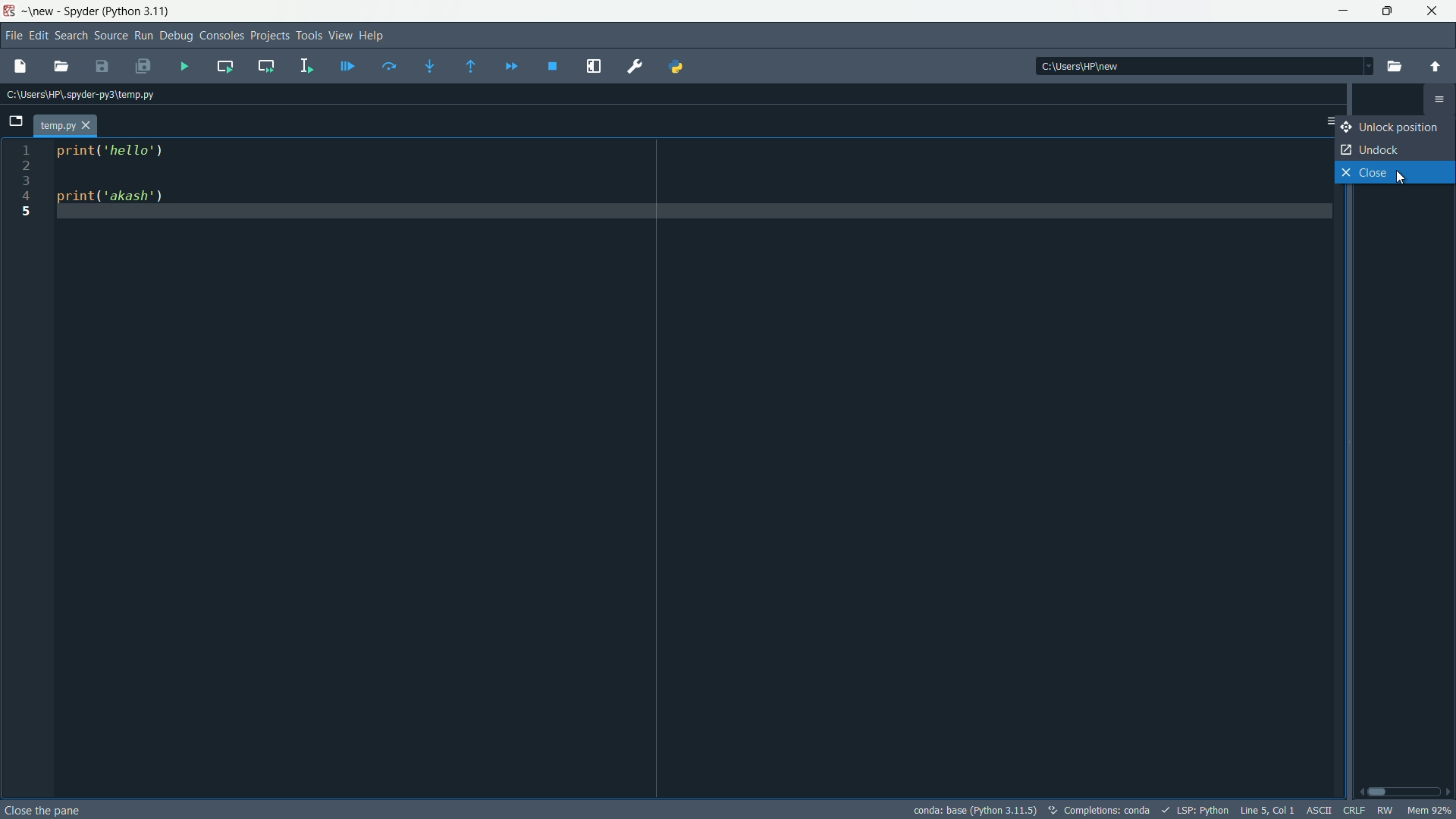 The height and width of the screenshot is (819, 1456). What do you see at coordinates (429, 66) in the screenshot?
I see `step into function` at bounding box center [429, 66].